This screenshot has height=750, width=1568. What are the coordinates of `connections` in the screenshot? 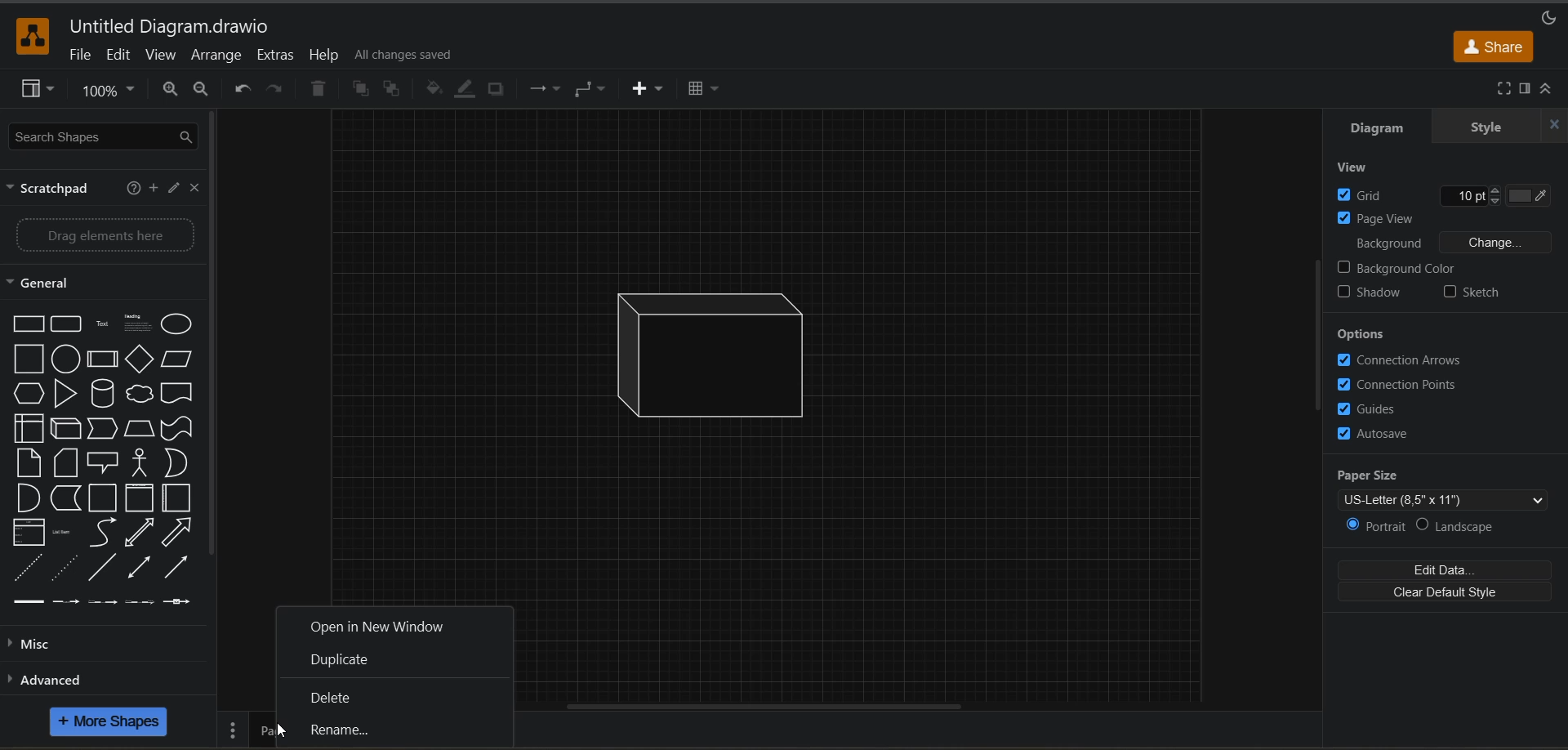 It's located at (548, 88).